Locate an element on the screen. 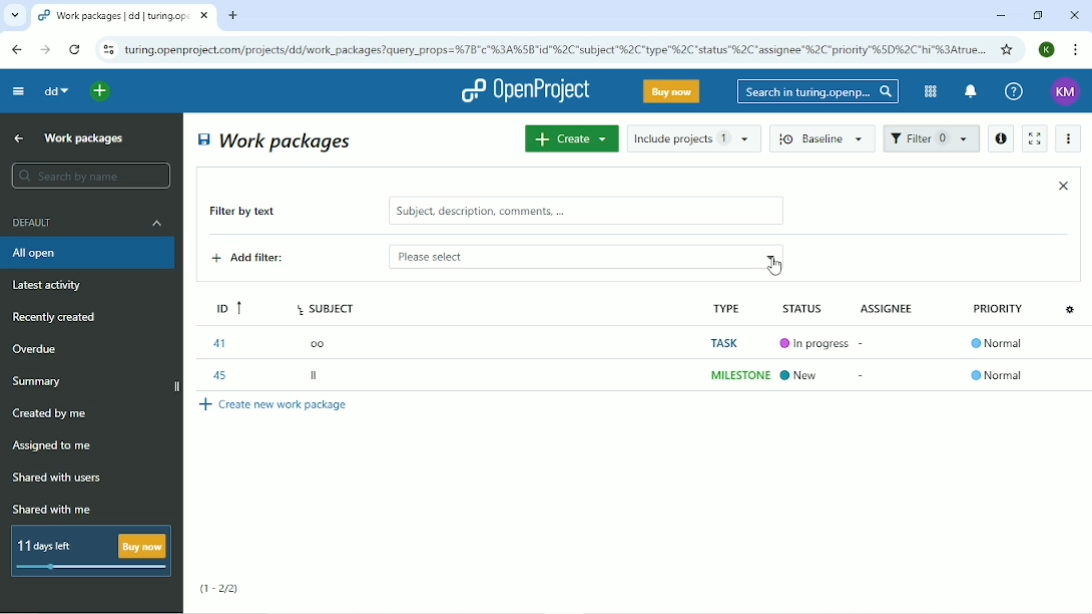 This screenshot has width=1092, height=614. Activate zen mode is located at coordinates (1033, 138).